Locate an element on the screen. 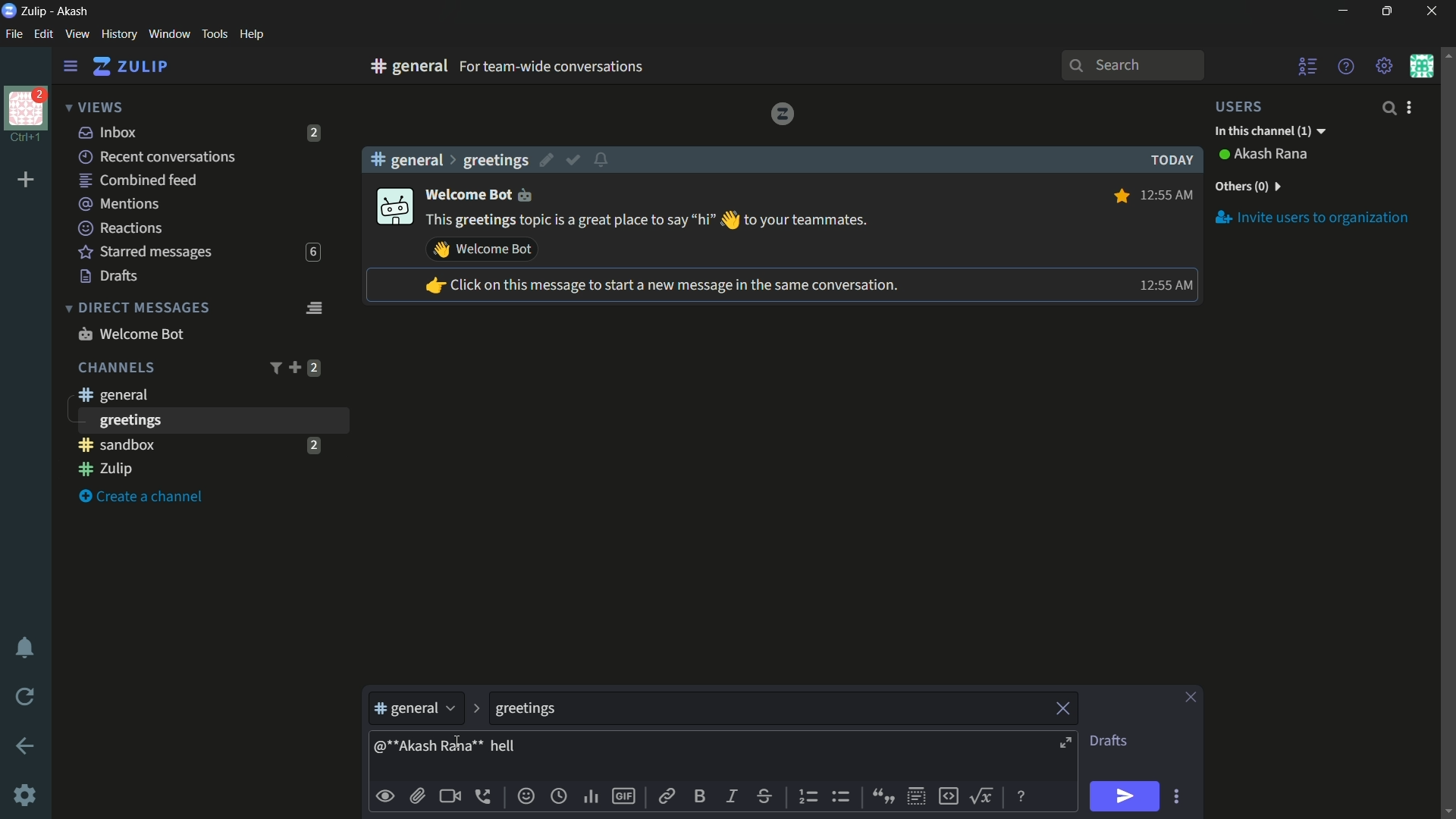  close pane is located at coordinates (1191, 698).